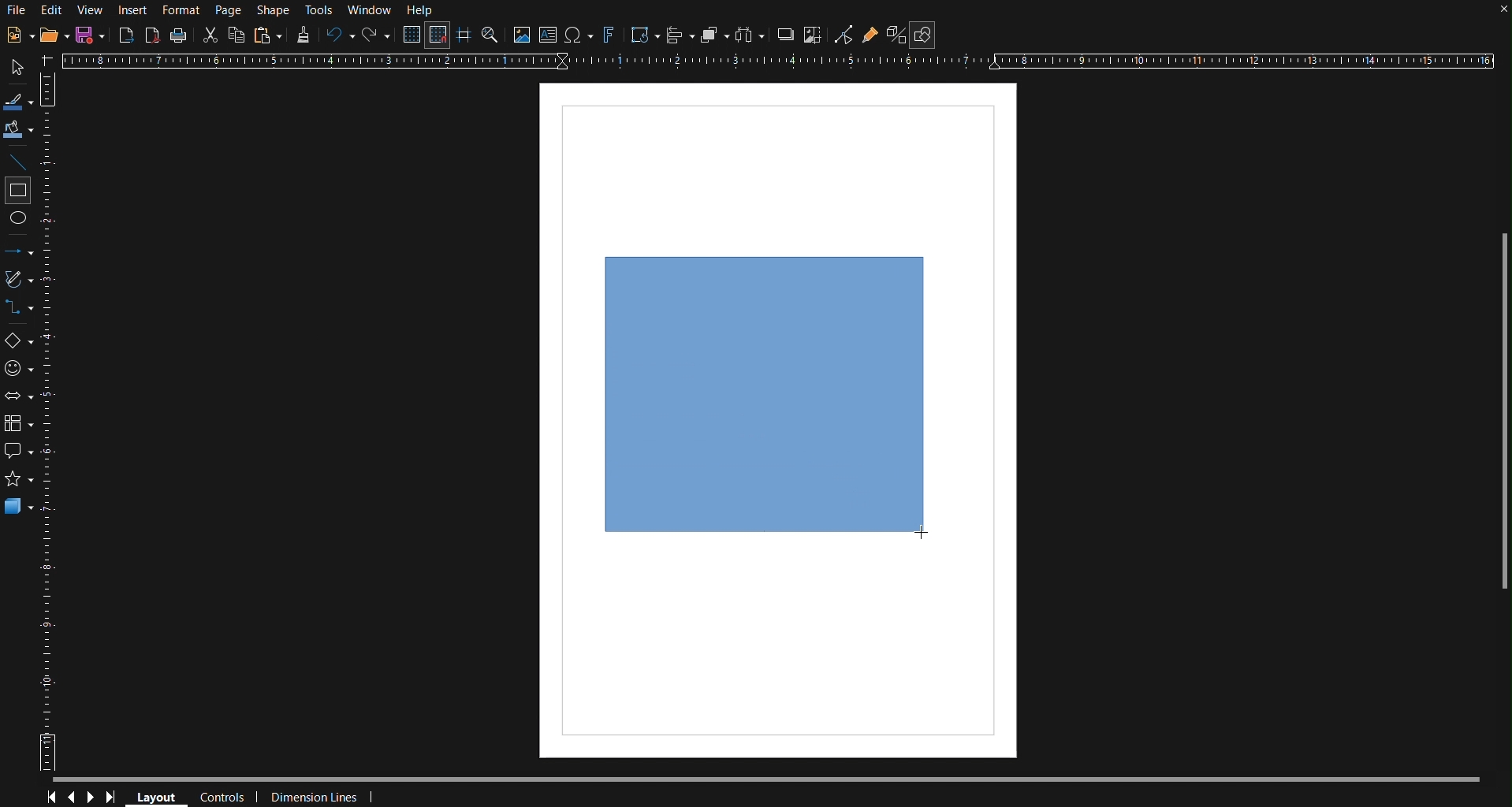  What do you see at coordinates (225, 798) in the screenshot?
I see `Controls` at bounding box center [225, 798].